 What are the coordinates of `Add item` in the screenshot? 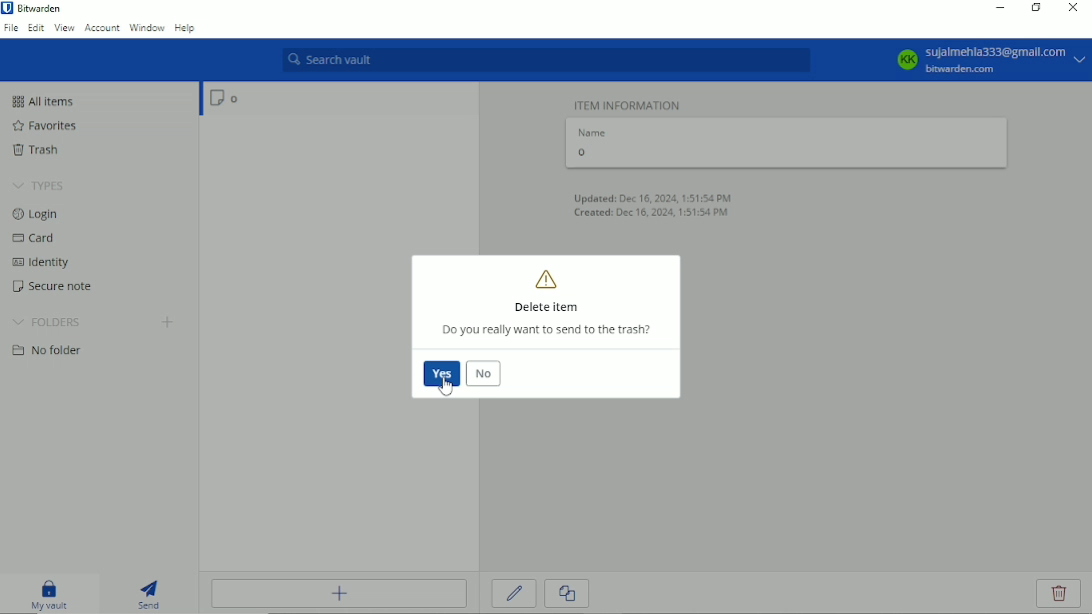 It's located at (337, 596).